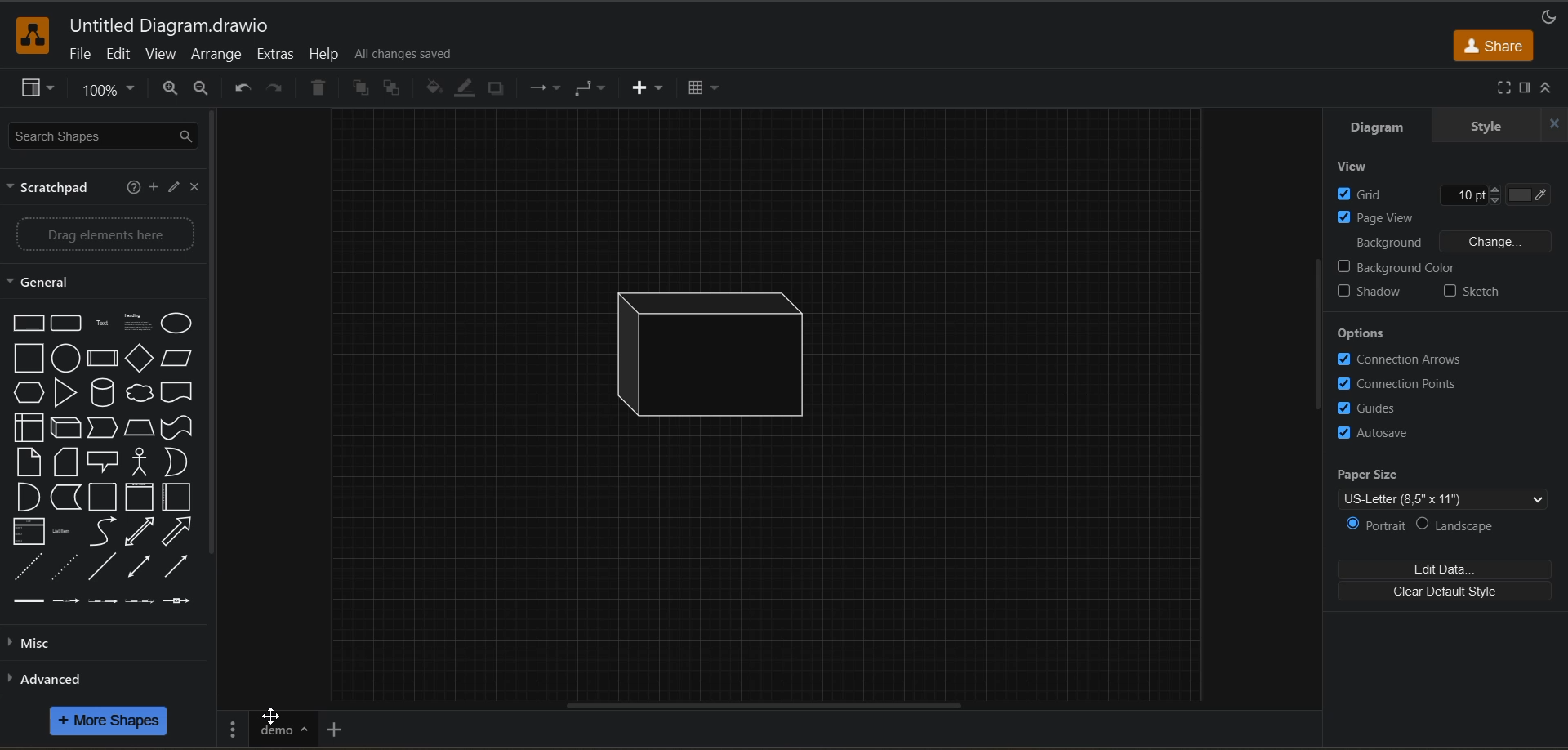 The image size is (1568, 750). What do you see at coordinates (1370, 194) in the screenshot?
I see `grid` at bounding box center [1370, 194].